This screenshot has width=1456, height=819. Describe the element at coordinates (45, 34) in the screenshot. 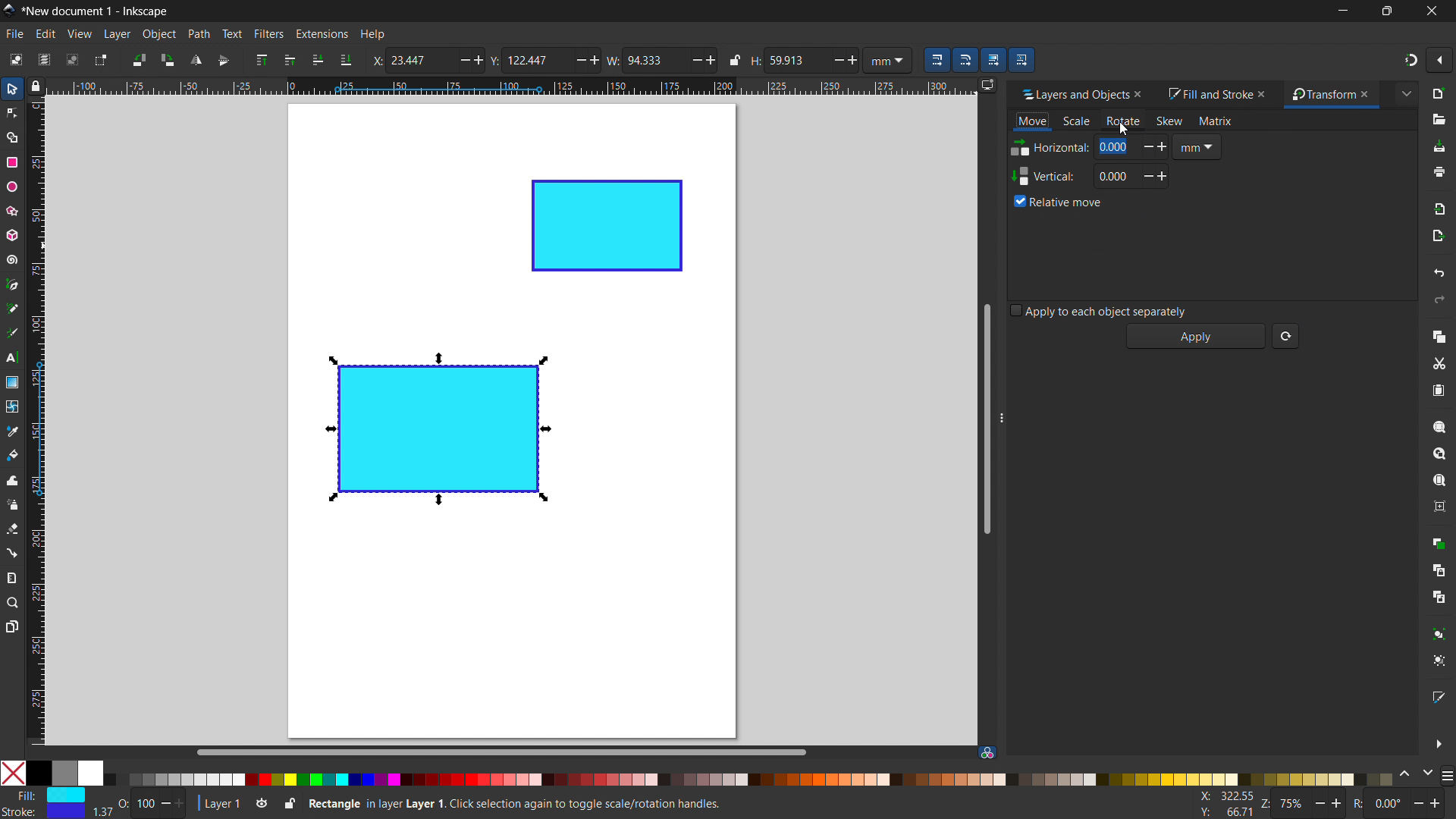

I see `edit` at that location.